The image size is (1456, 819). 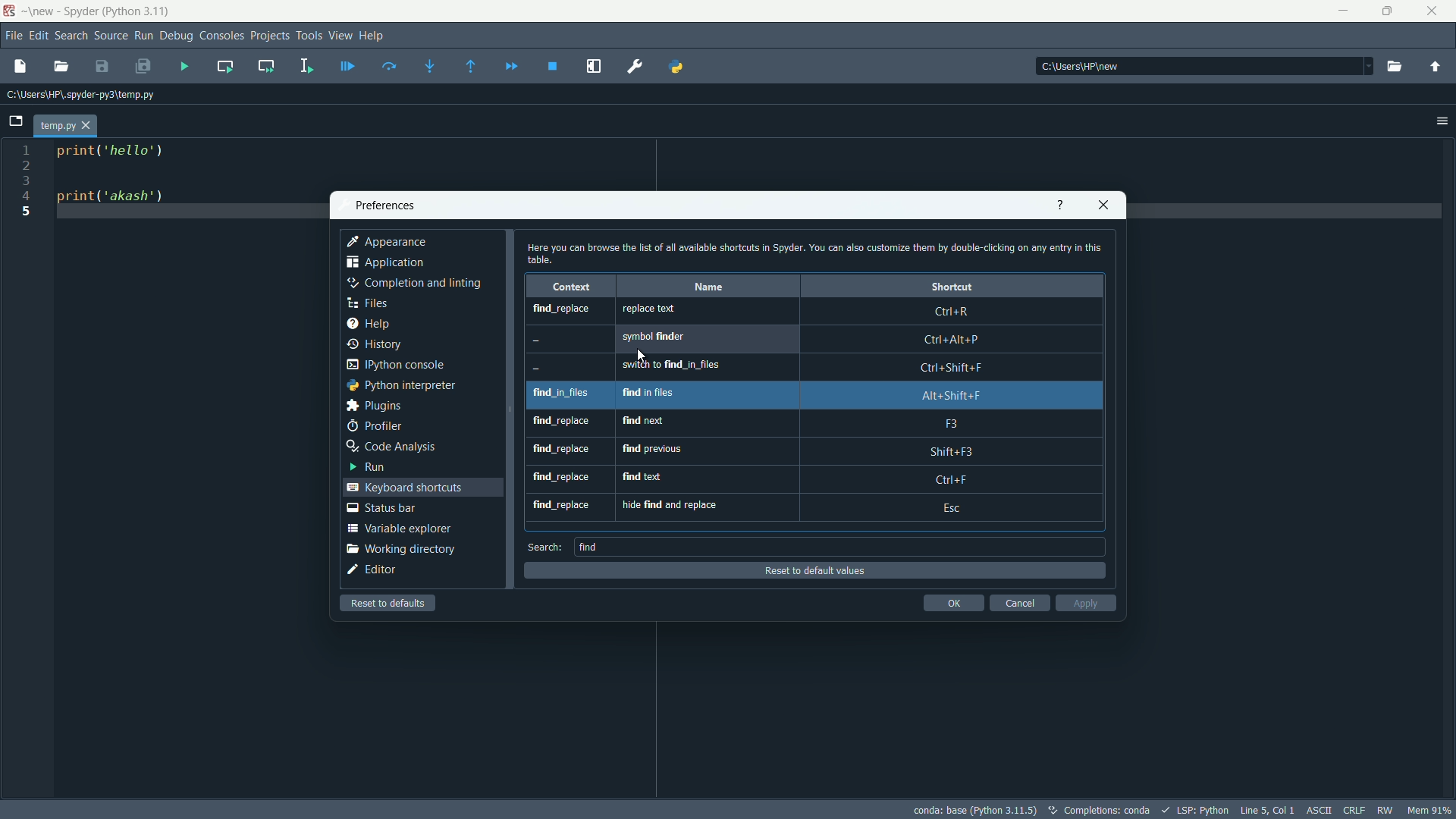 What do you see at coordinates (96, 11) in the screenshot?
I see `~\new -  Spyder (Python 3.11)` at bounding box center [96, 11].